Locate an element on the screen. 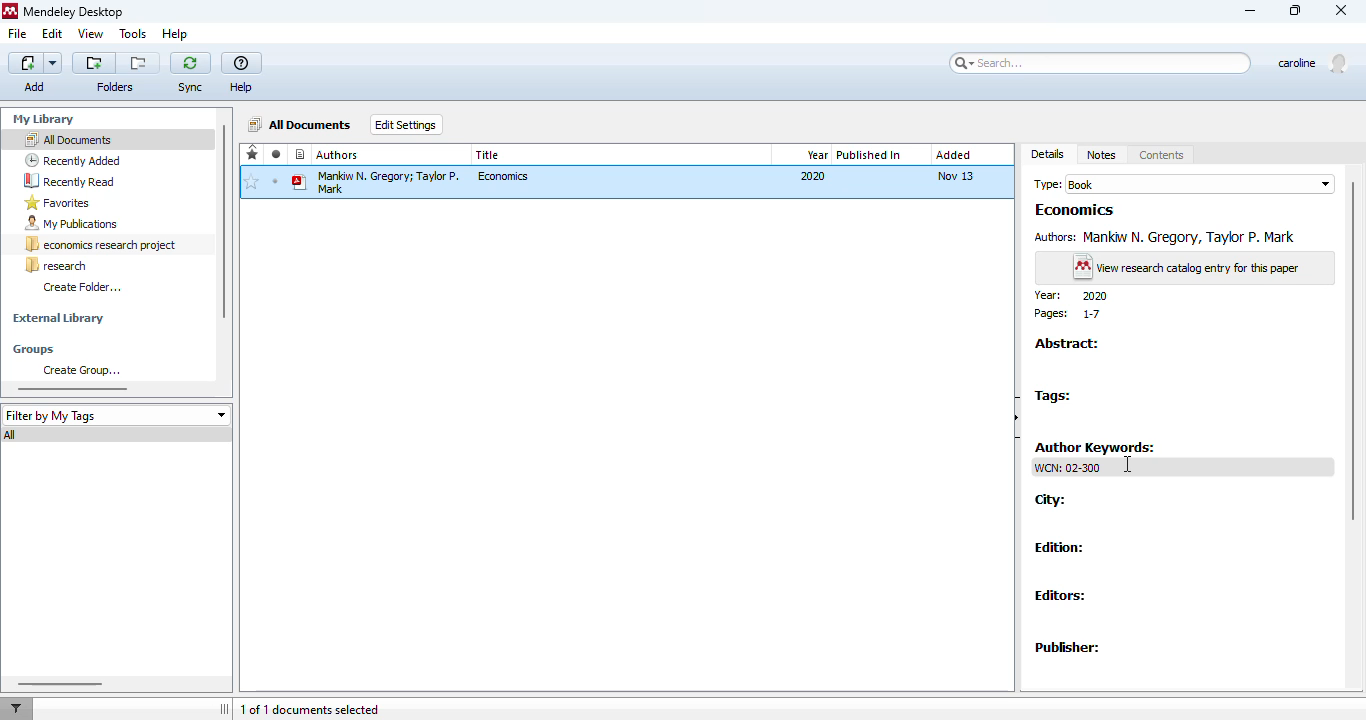  create folder is located at coordinates (85, 287).